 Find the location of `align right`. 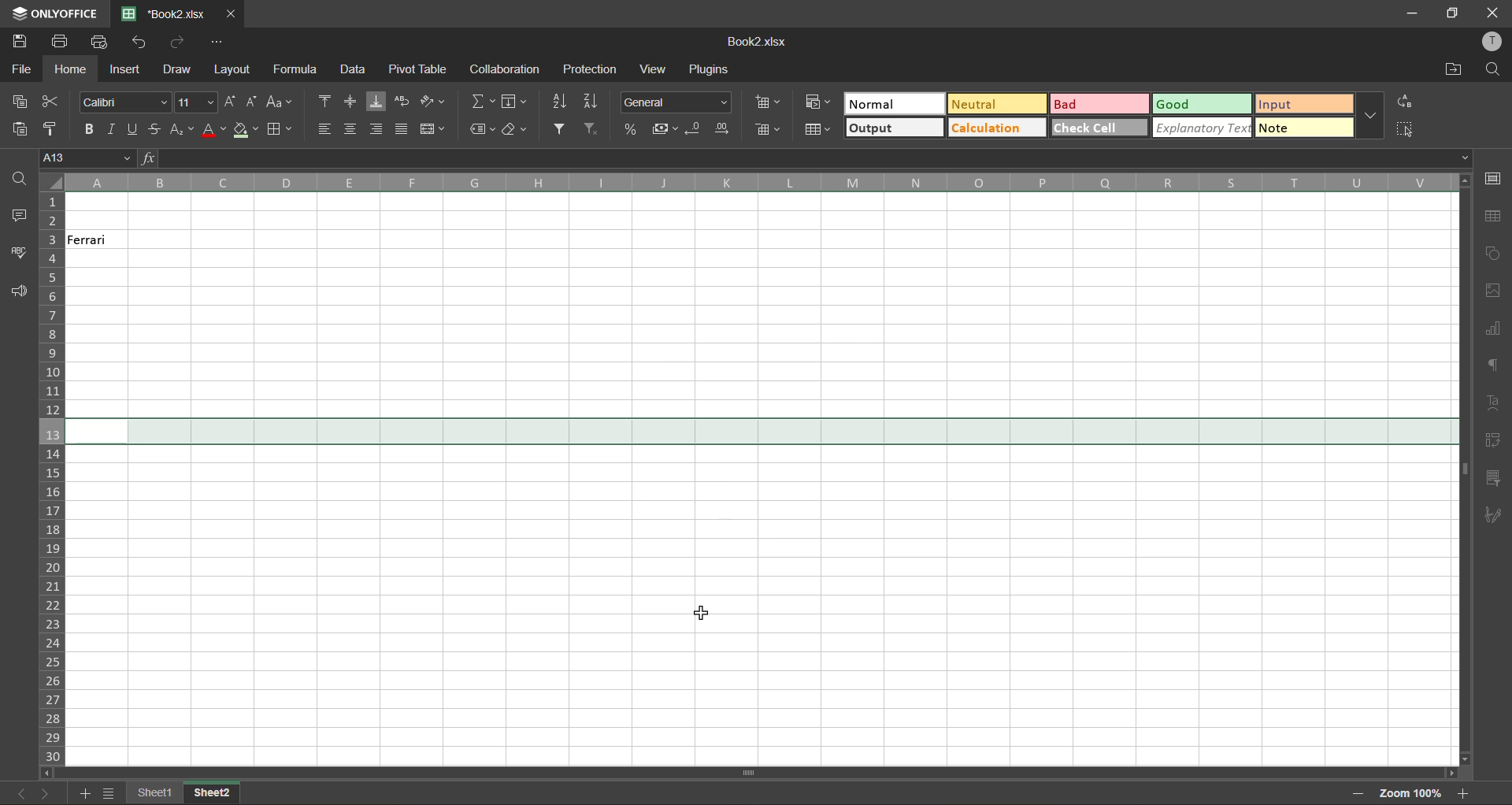

align right is located at coordinates (379, 128).